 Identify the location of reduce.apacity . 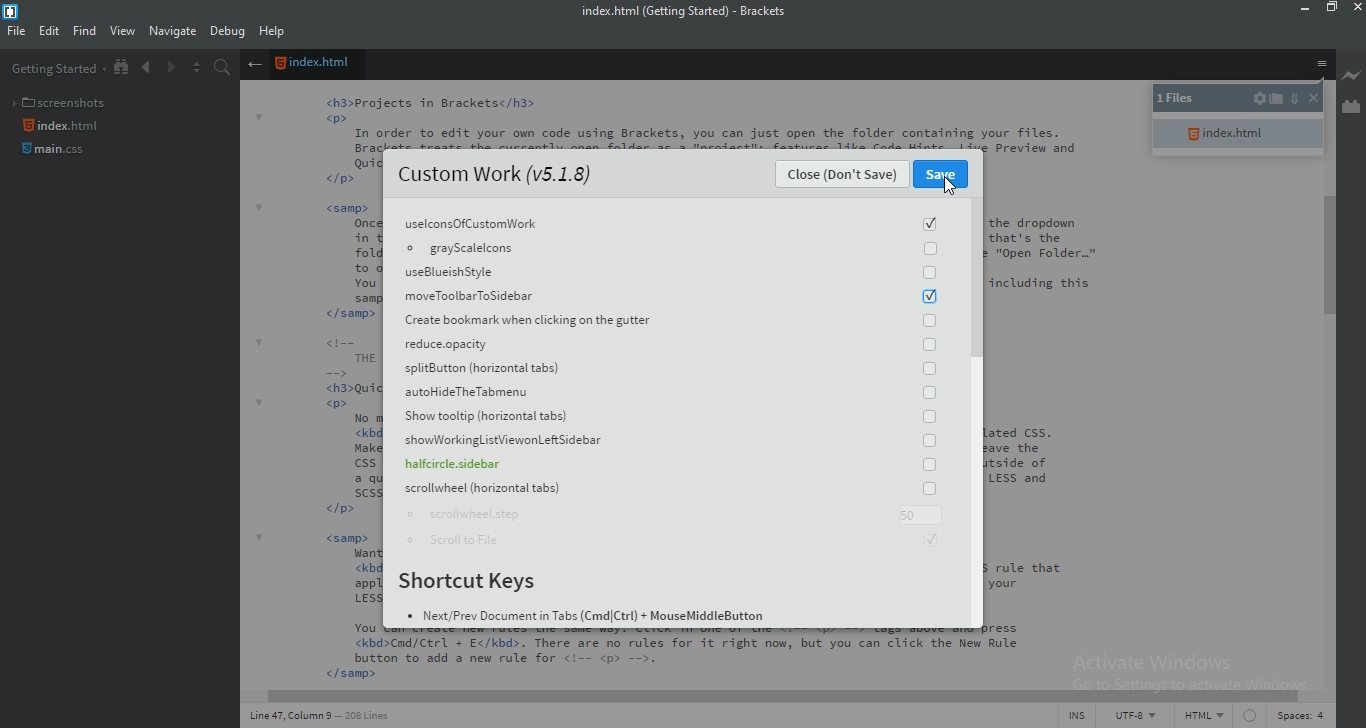
(668, 347).